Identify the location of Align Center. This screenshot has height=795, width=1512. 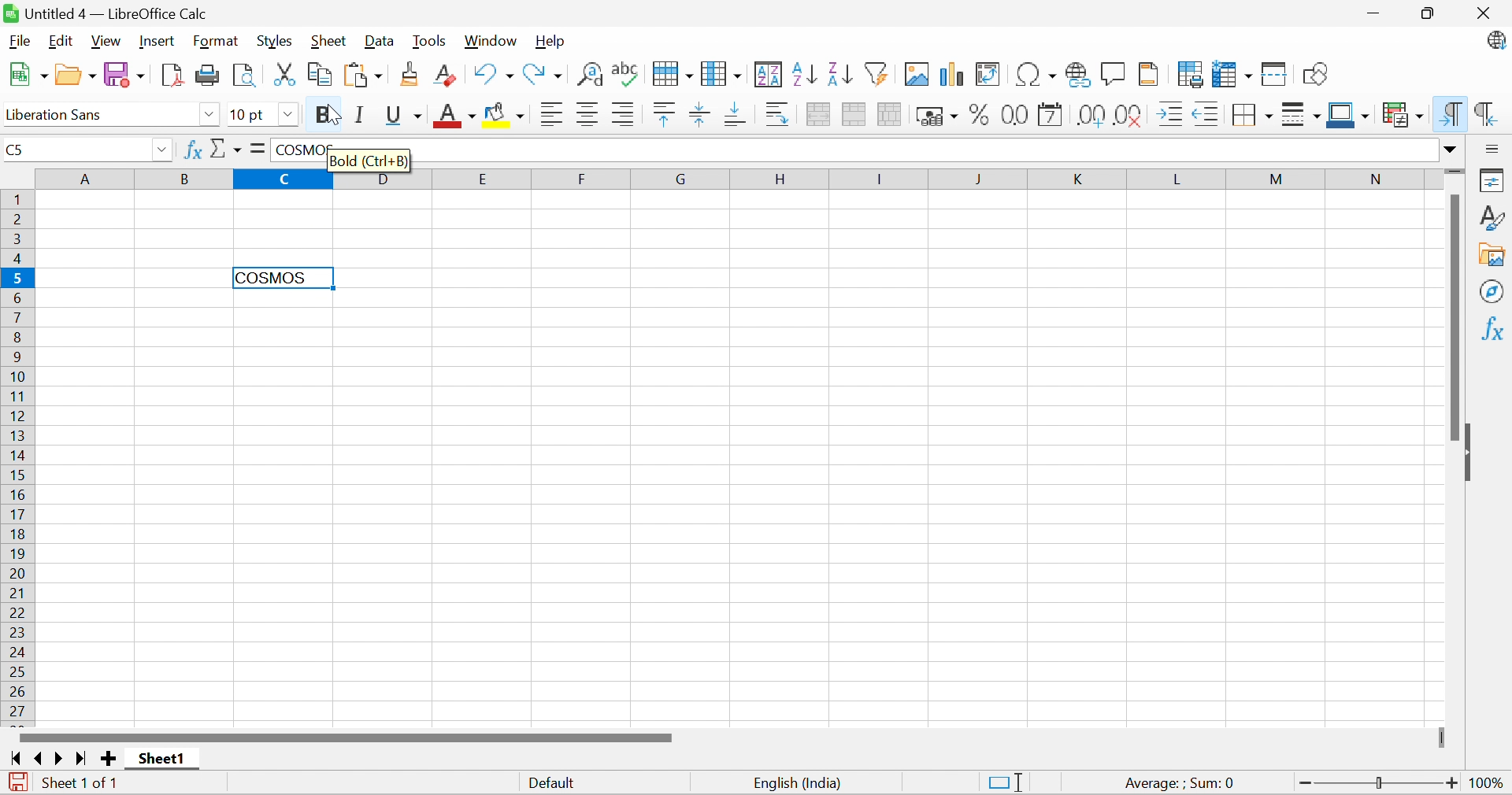
(589, 116).